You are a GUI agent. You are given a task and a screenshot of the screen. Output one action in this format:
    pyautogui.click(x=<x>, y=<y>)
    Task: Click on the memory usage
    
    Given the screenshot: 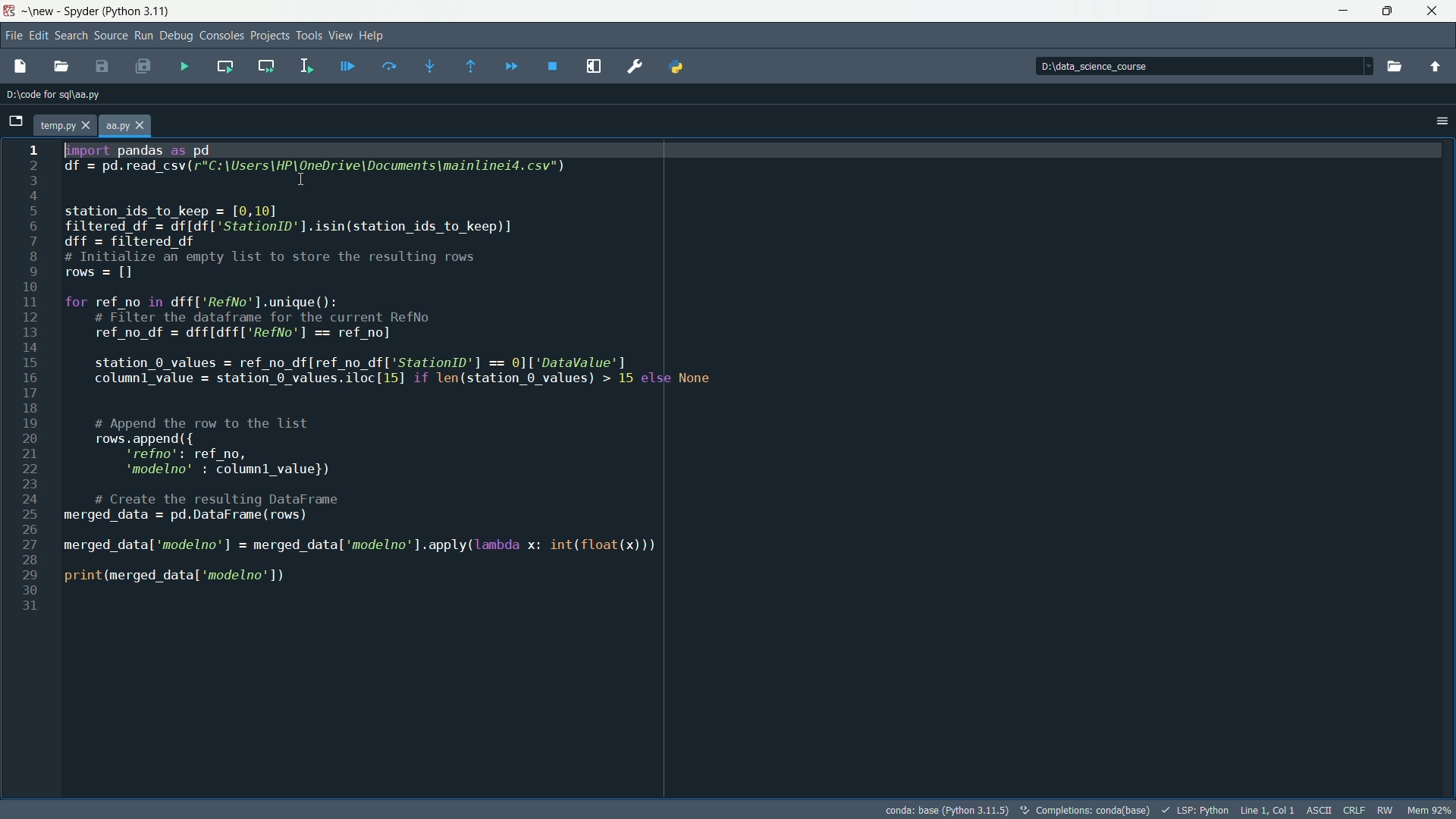 What is the action you would take?
    pyautogui.click(x=1430, y=810)
    